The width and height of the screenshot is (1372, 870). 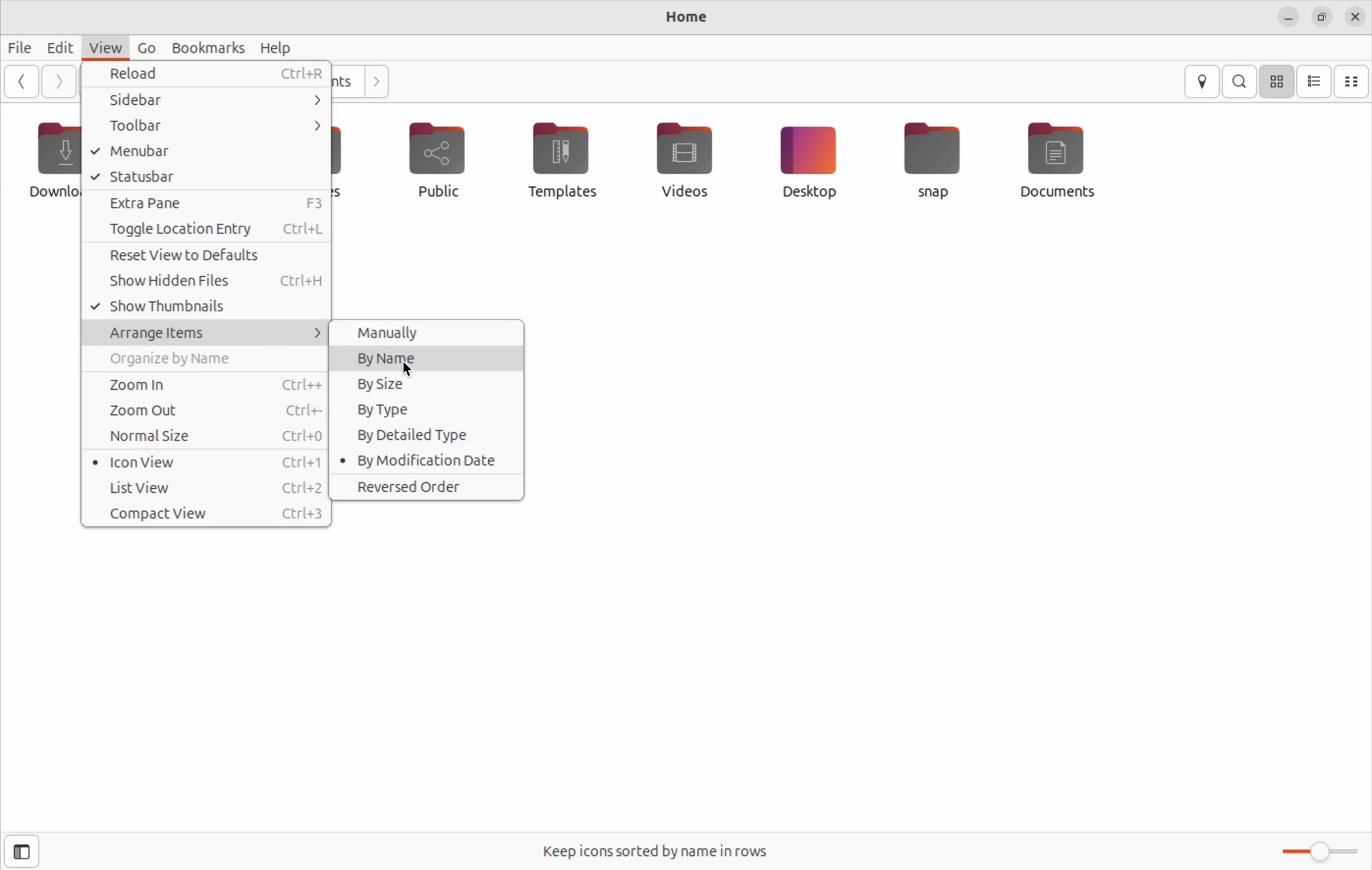 I want to click on zoom in, so click(x=207, y=385).